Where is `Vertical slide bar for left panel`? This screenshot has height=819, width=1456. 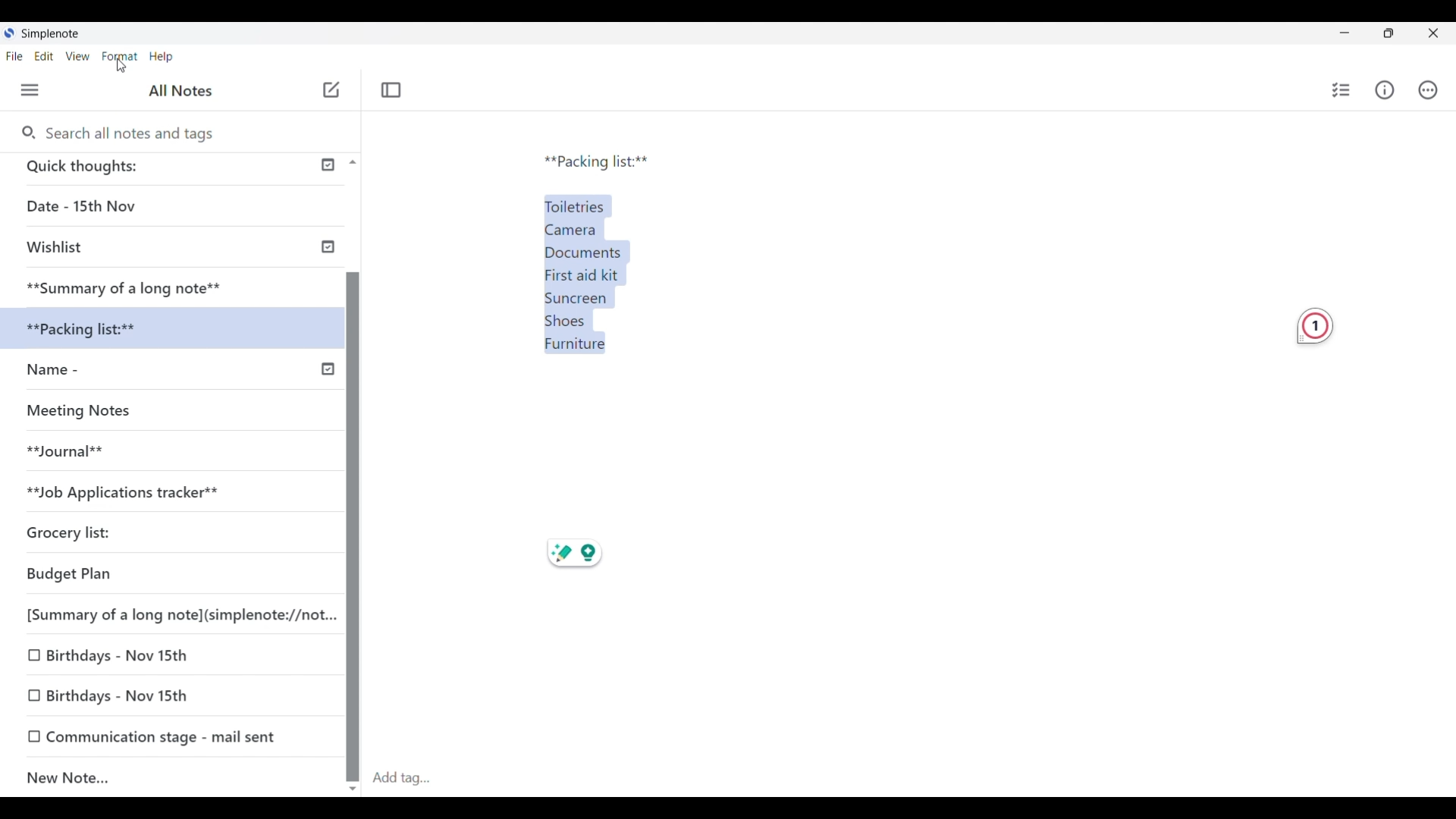 Vertical slide bar for left panel is located at coordinates (353, 513).